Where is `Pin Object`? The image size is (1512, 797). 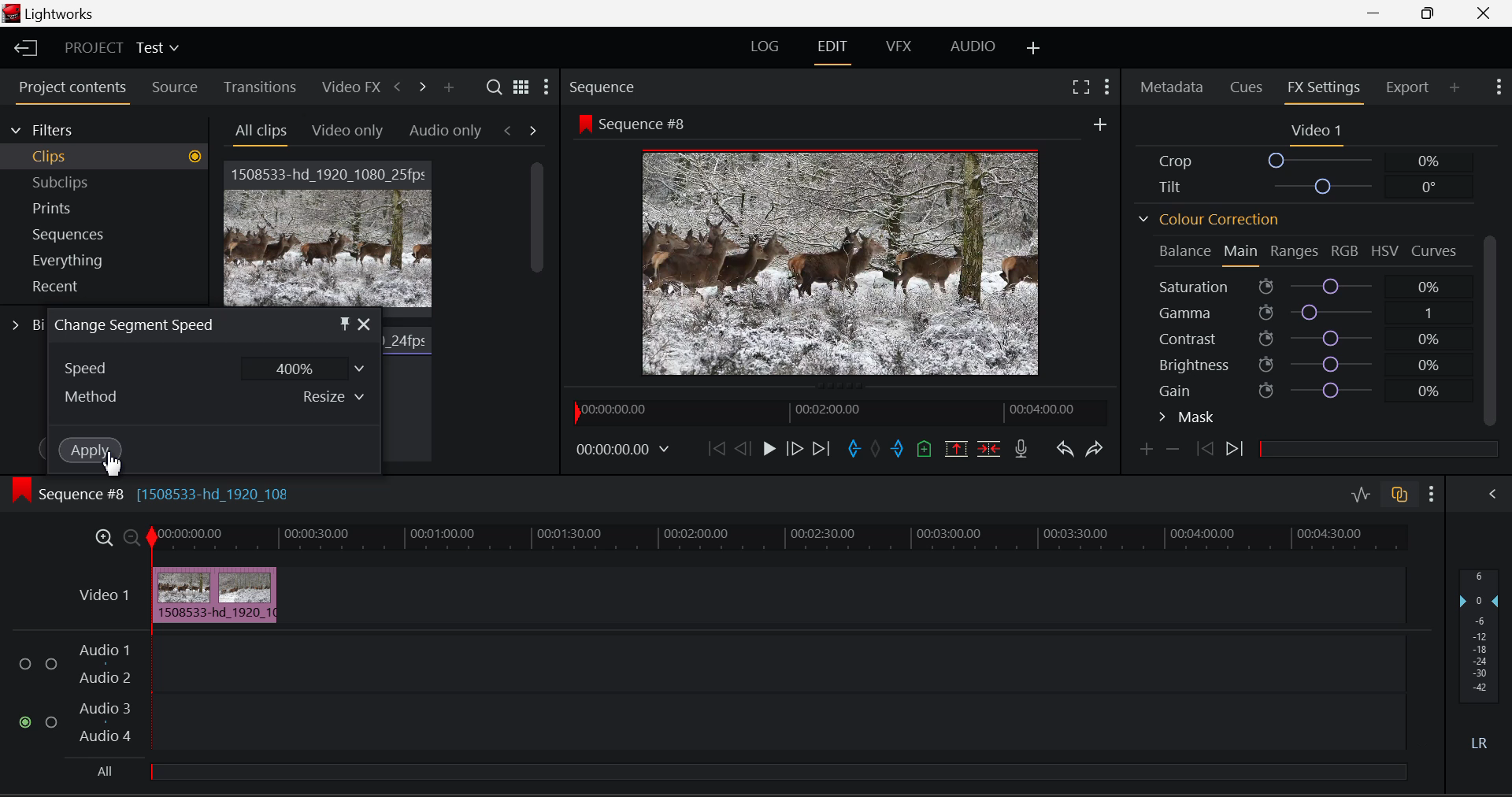
Pin Object is located at coordinates (344, 325).